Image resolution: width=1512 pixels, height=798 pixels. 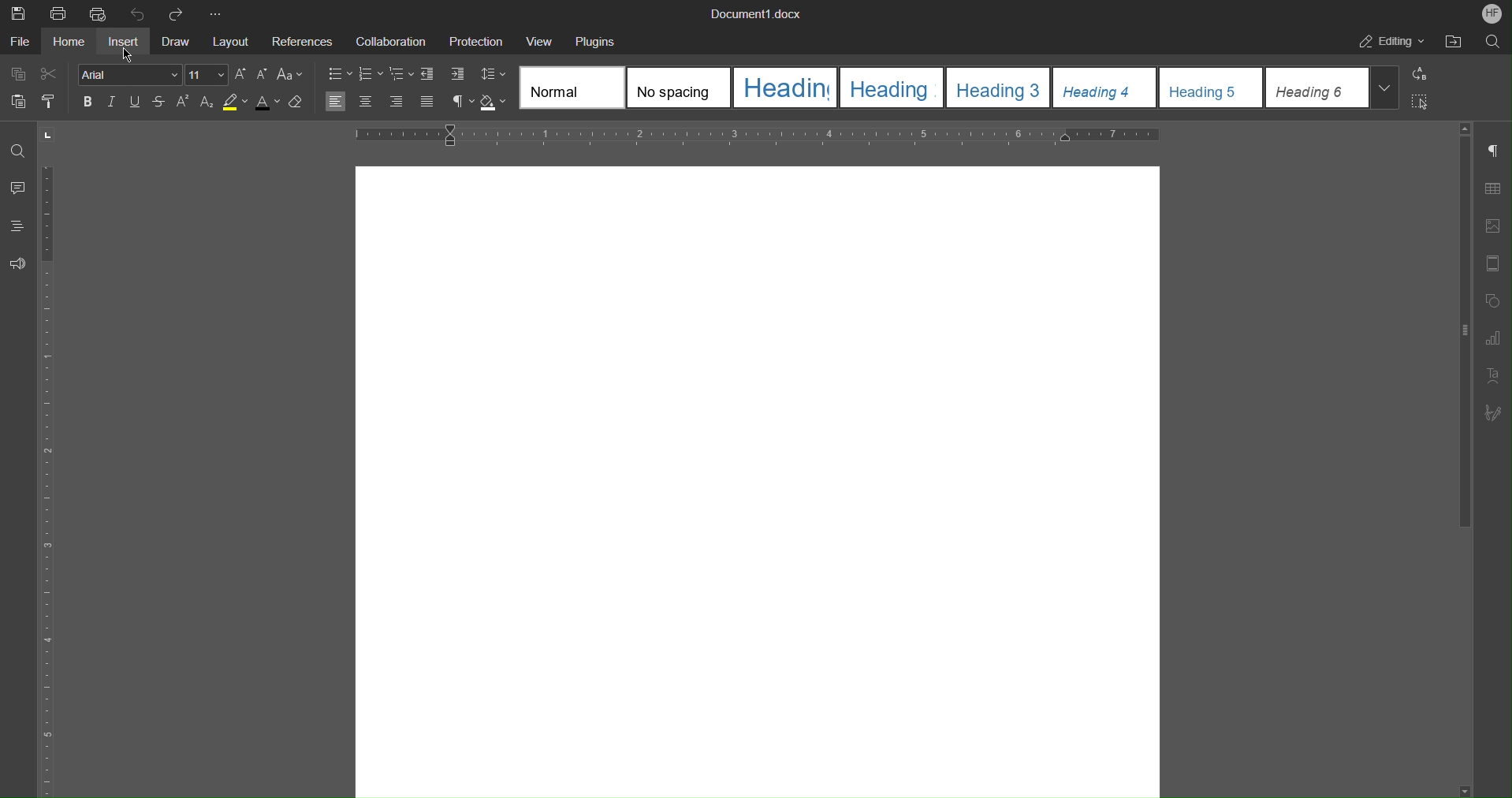 What do you see at coordinates (158, 103) in the screenshot?
I see `Strikethrough` at bounding box center [158, 103].